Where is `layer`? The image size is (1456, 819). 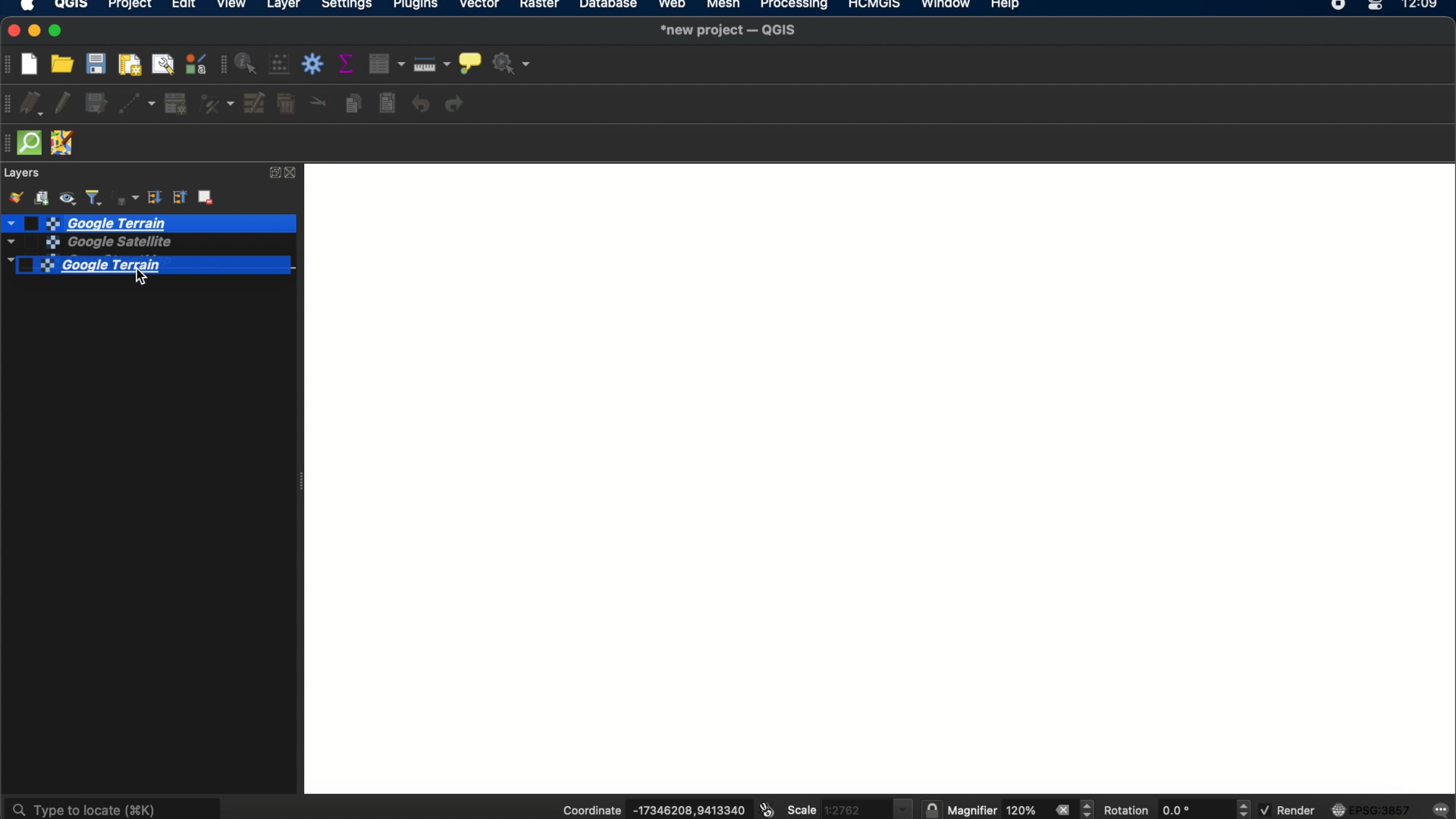
layer is located at coordinates (284, 6).